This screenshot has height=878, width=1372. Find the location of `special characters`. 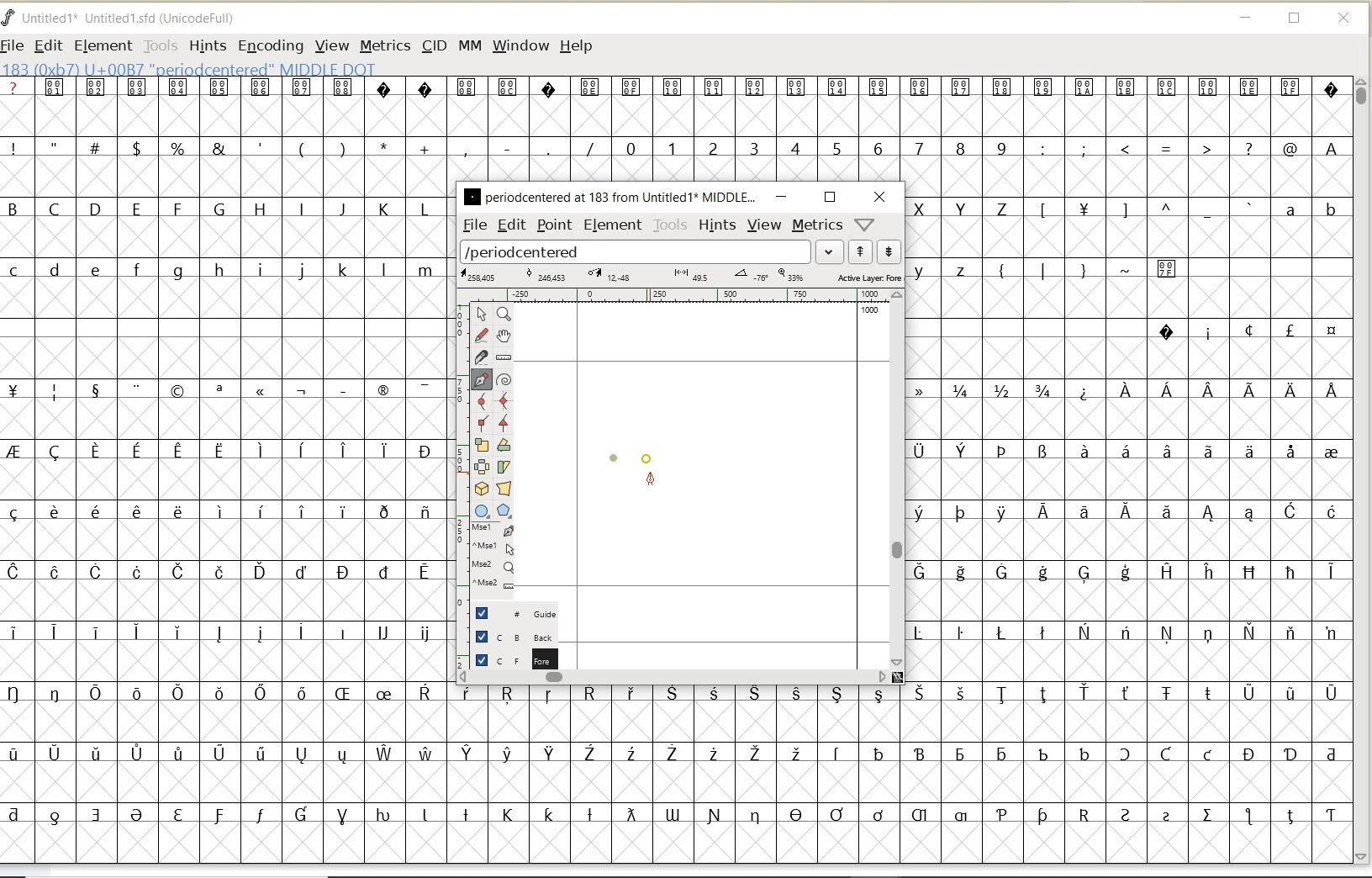

special characters is located at coordinates (219, 601).